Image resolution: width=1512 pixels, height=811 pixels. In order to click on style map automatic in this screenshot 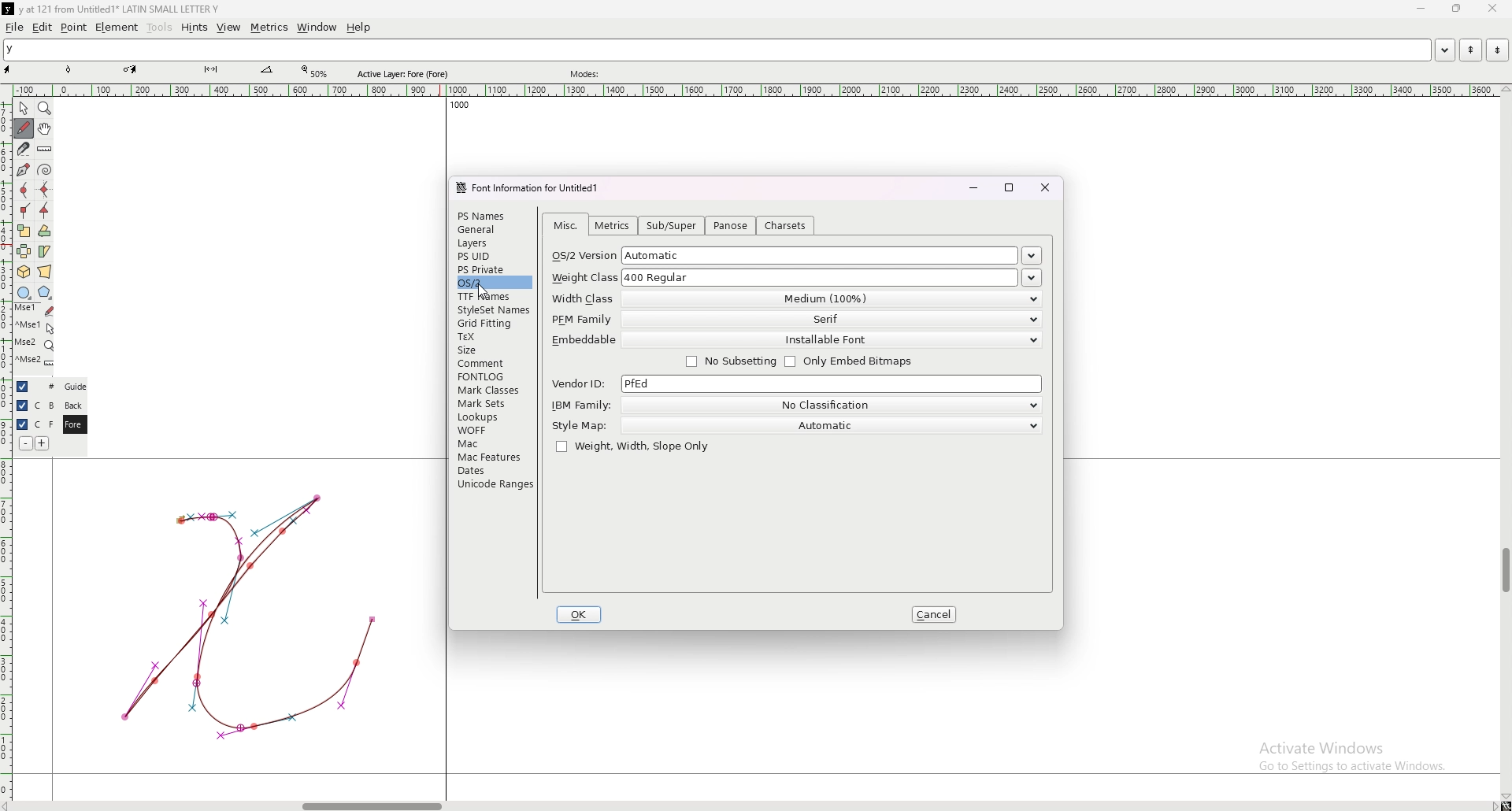, I will do `click(795, 425)`.